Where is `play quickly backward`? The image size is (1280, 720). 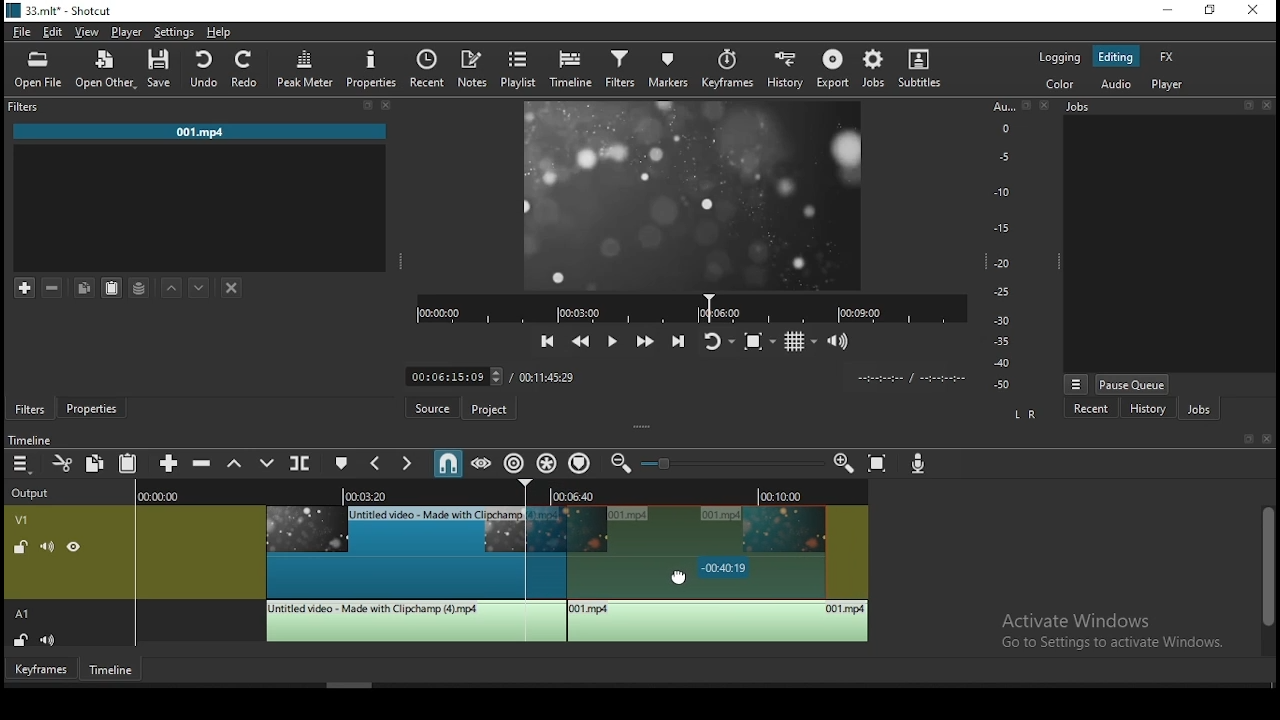
play quickly backward is located at coordinates (583, 341).